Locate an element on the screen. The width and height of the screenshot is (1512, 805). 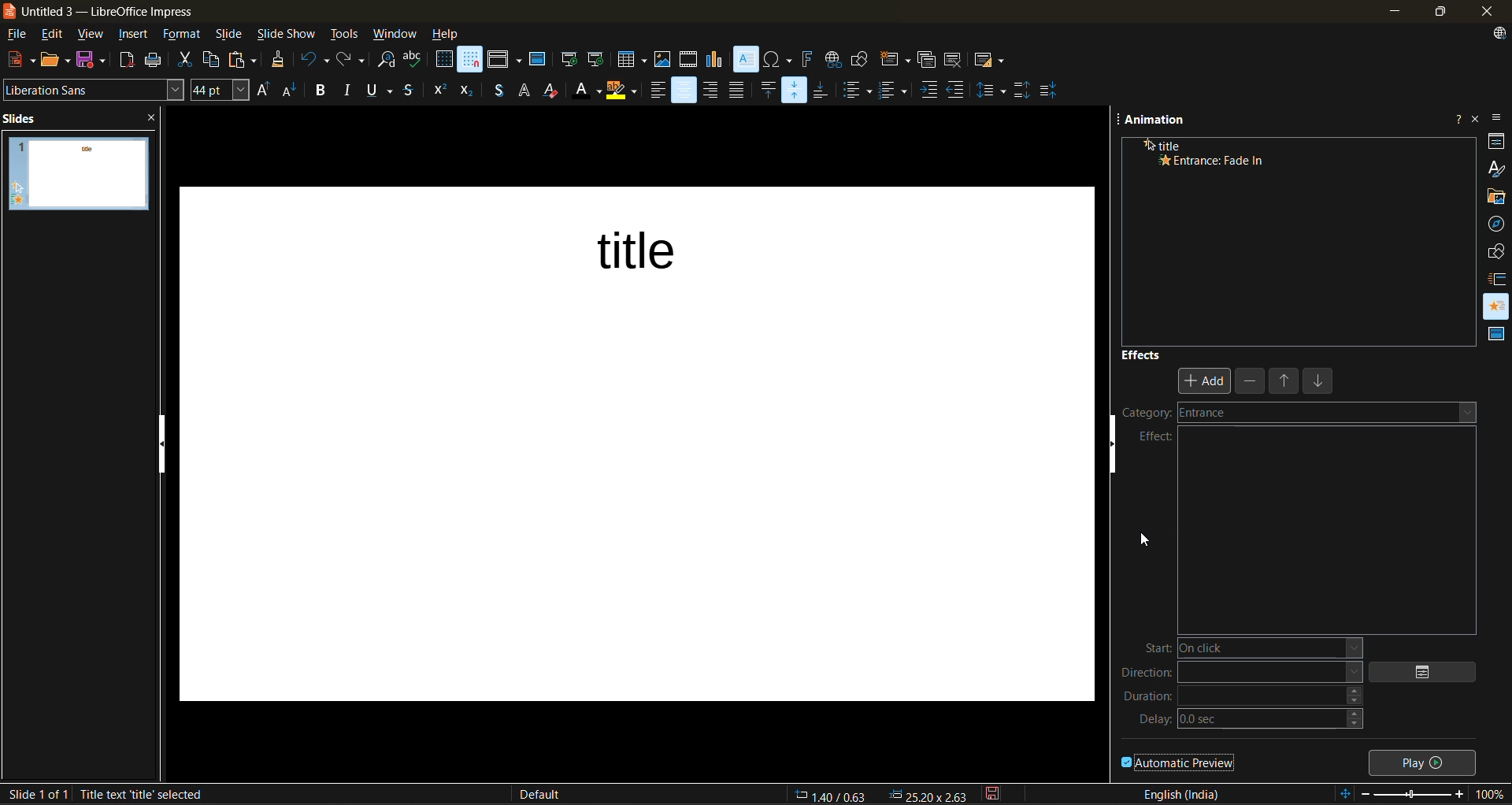
help about this sidebar deck is located at coordinates (1458, 116).